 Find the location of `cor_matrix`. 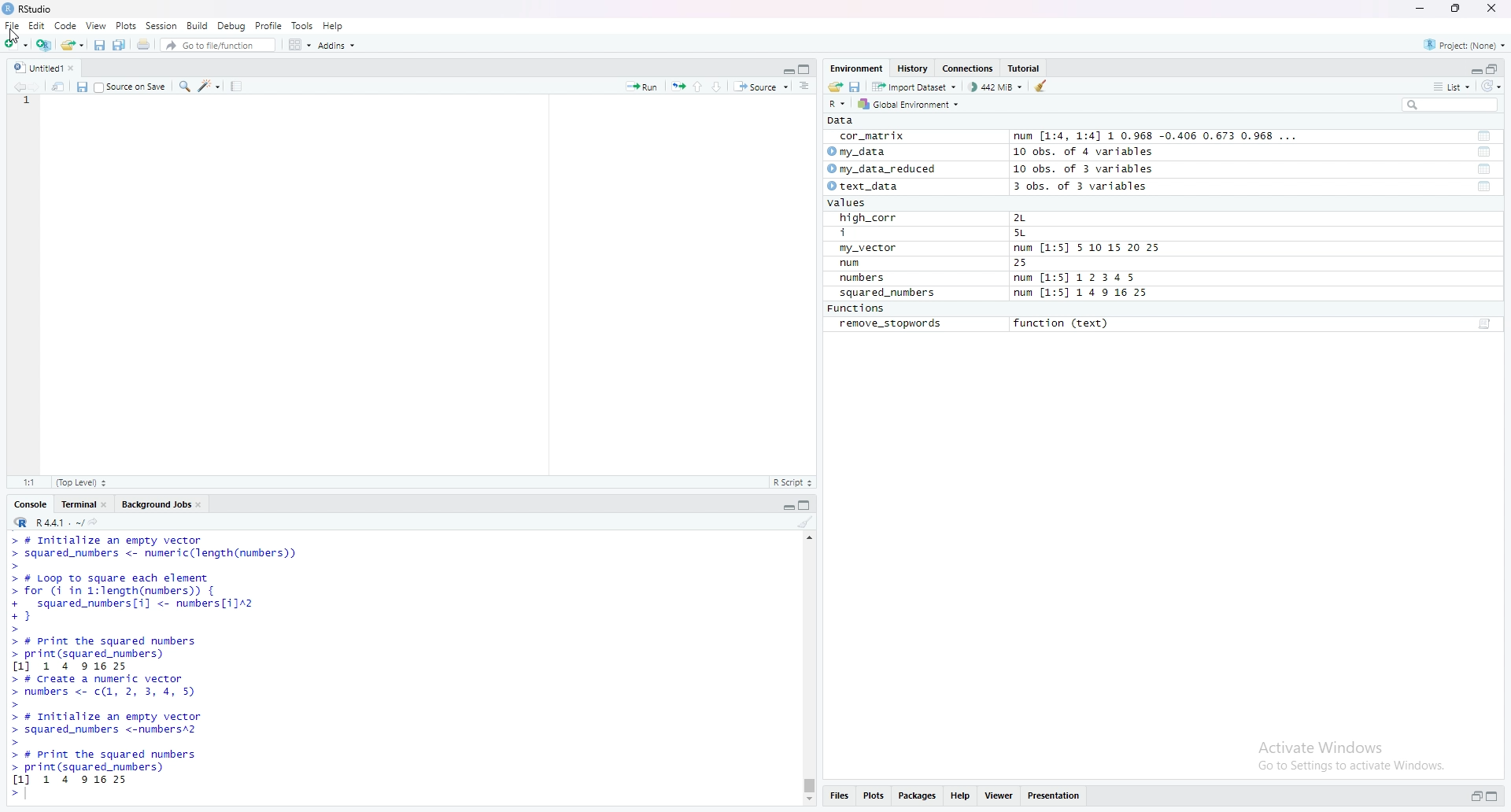

cor_matrix is located at coordinates (873, 135).